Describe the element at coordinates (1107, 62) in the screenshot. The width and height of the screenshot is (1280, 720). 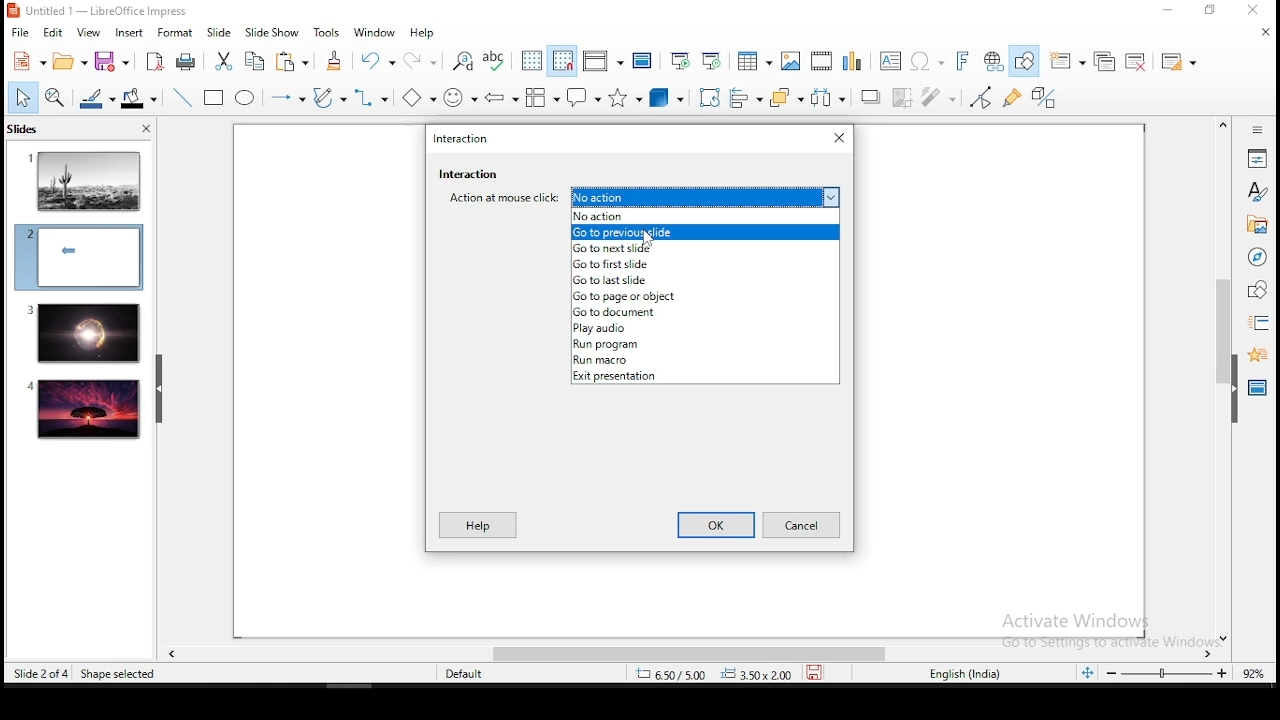
I see `duplicate slide` at that location.